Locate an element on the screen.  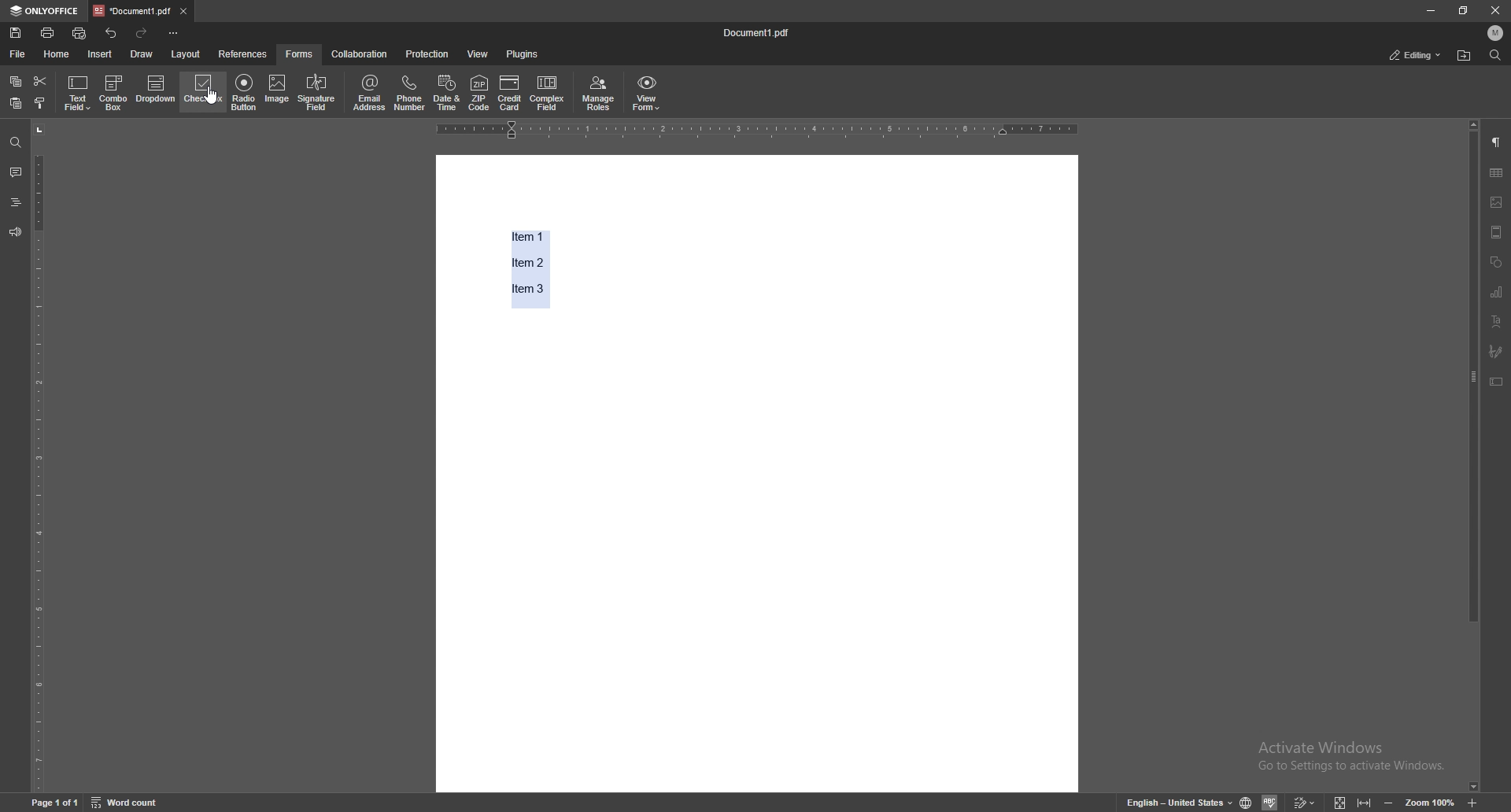
signature field is located at coordinates (1496, 351).